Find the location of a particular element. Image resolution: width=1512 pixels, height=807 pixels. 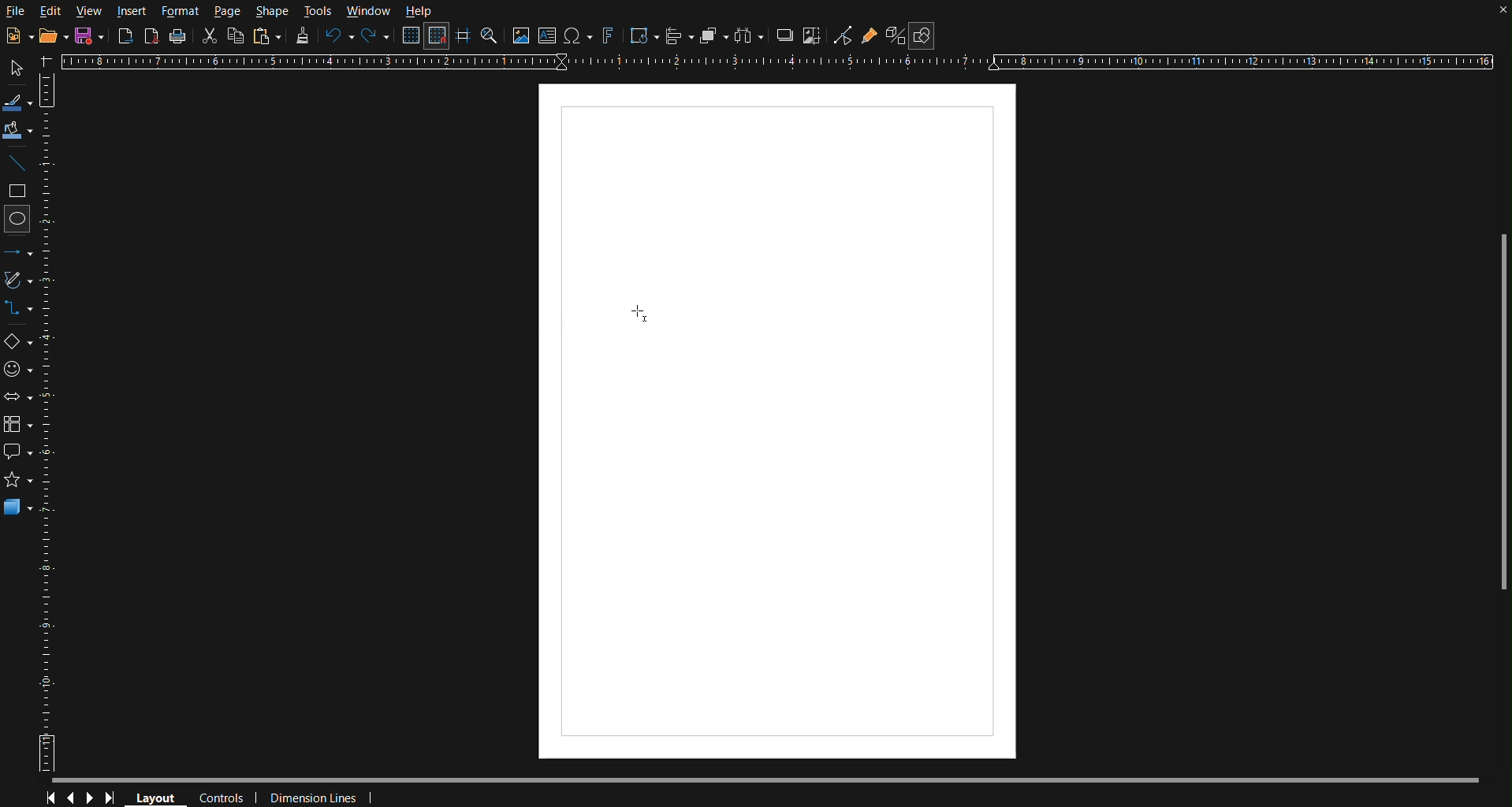

Dimension Lines is located at coordinates (315, 795).